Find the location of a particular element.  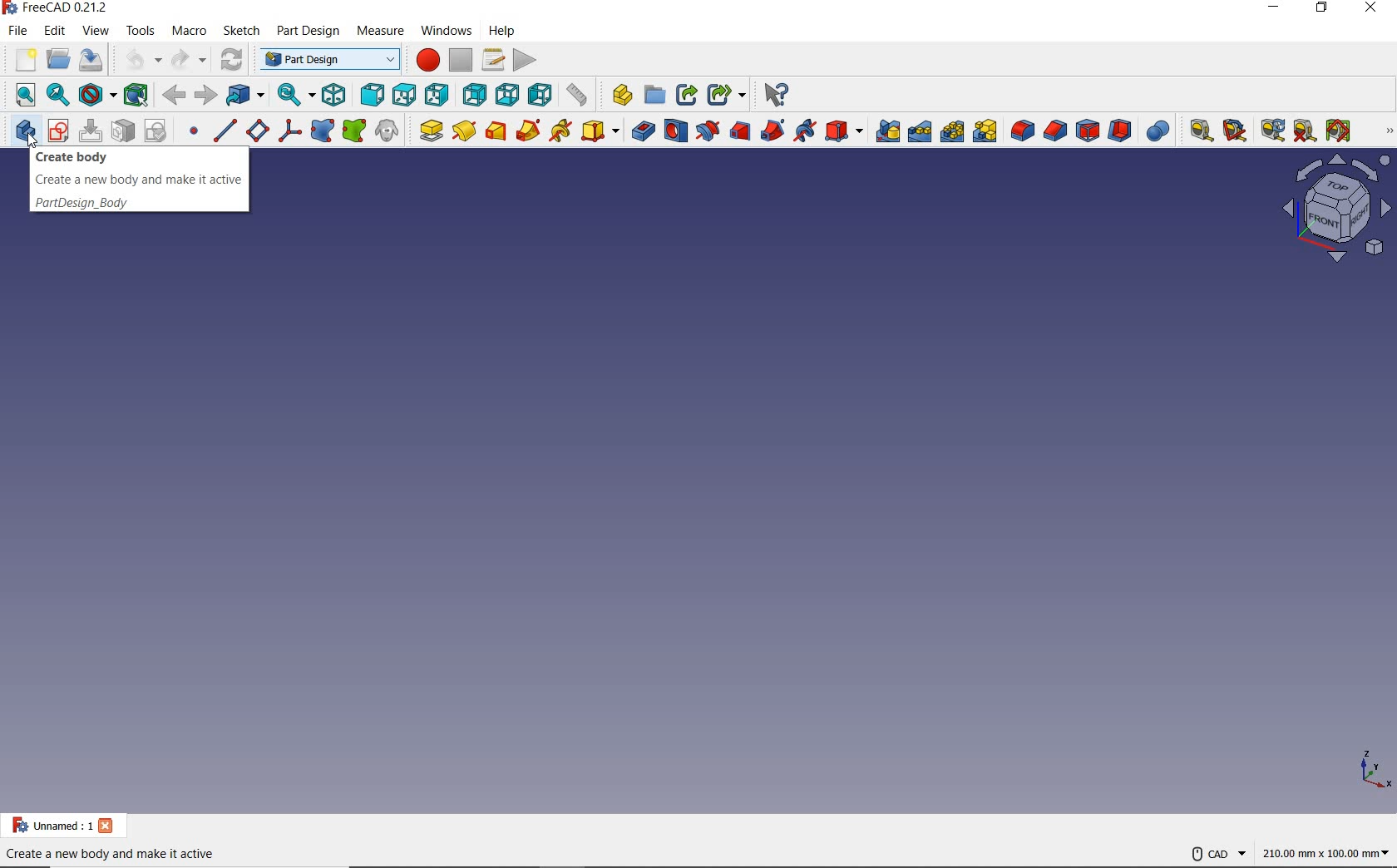

CREATE A SUBTRACTIVE PRIMITIVE is located at coordinates (845, 130).